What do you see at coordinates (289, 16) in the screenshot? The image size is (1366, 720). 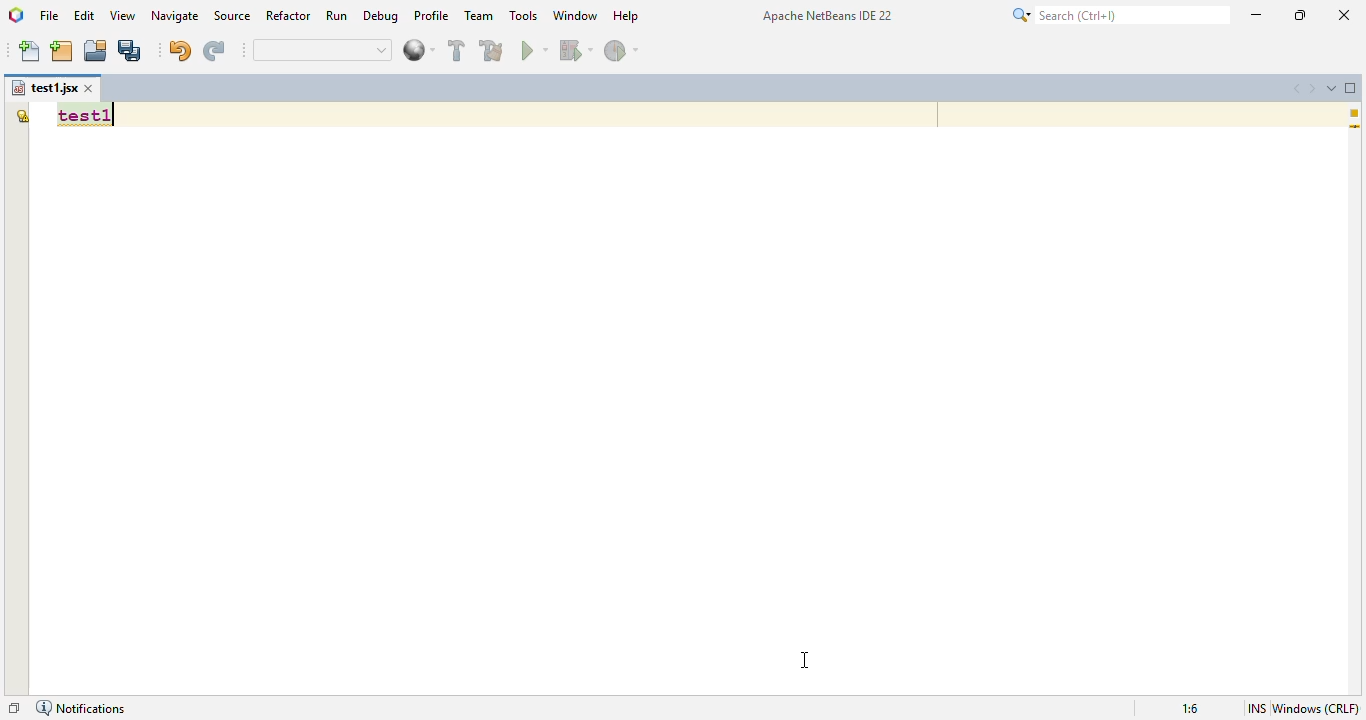 I see `refactor` at bounding box center [289, 16].